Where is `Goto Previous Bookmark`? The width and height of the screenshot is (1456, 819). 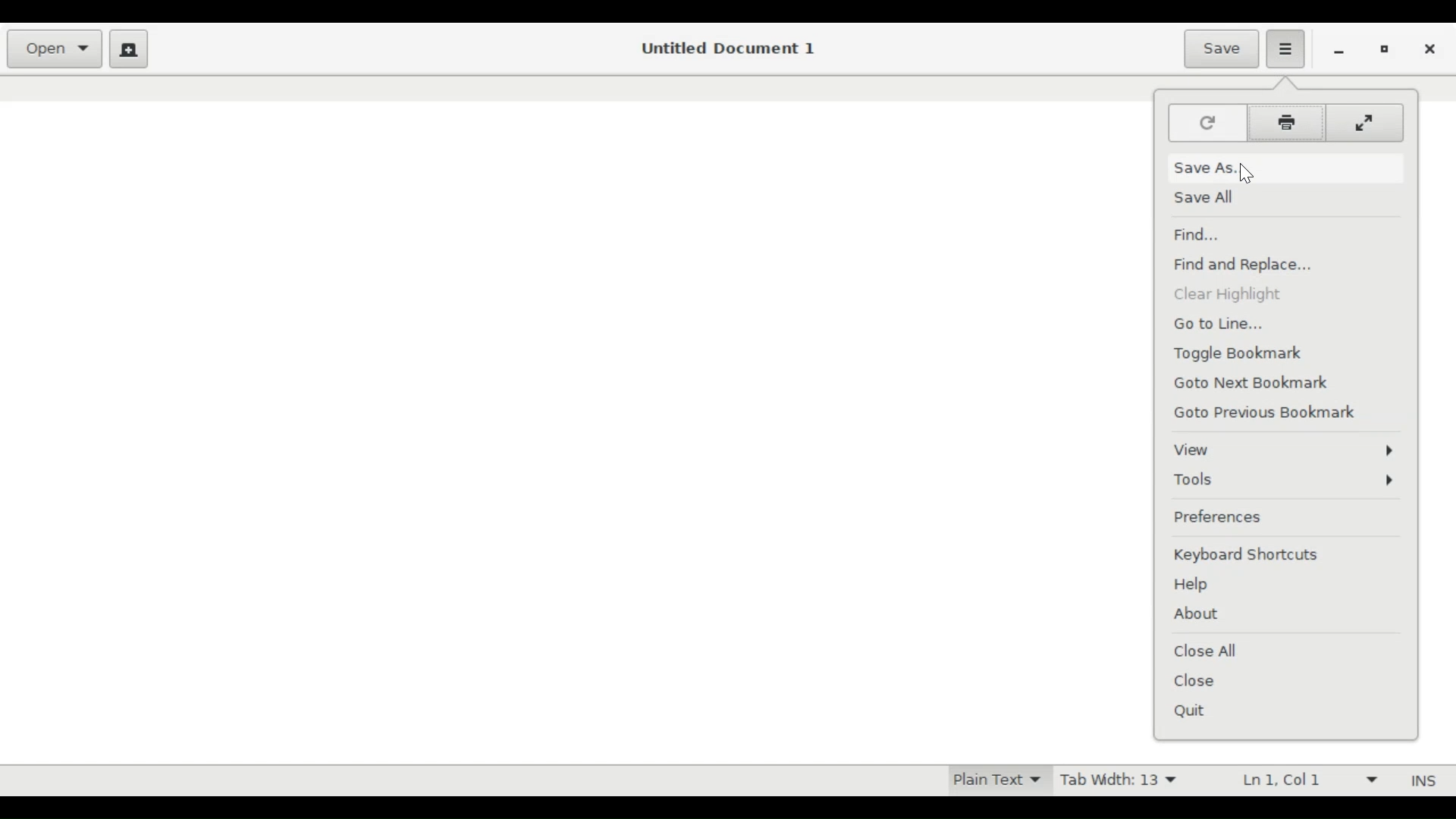
Goto Previous Bookmark is located at coordinates (1270, 413).